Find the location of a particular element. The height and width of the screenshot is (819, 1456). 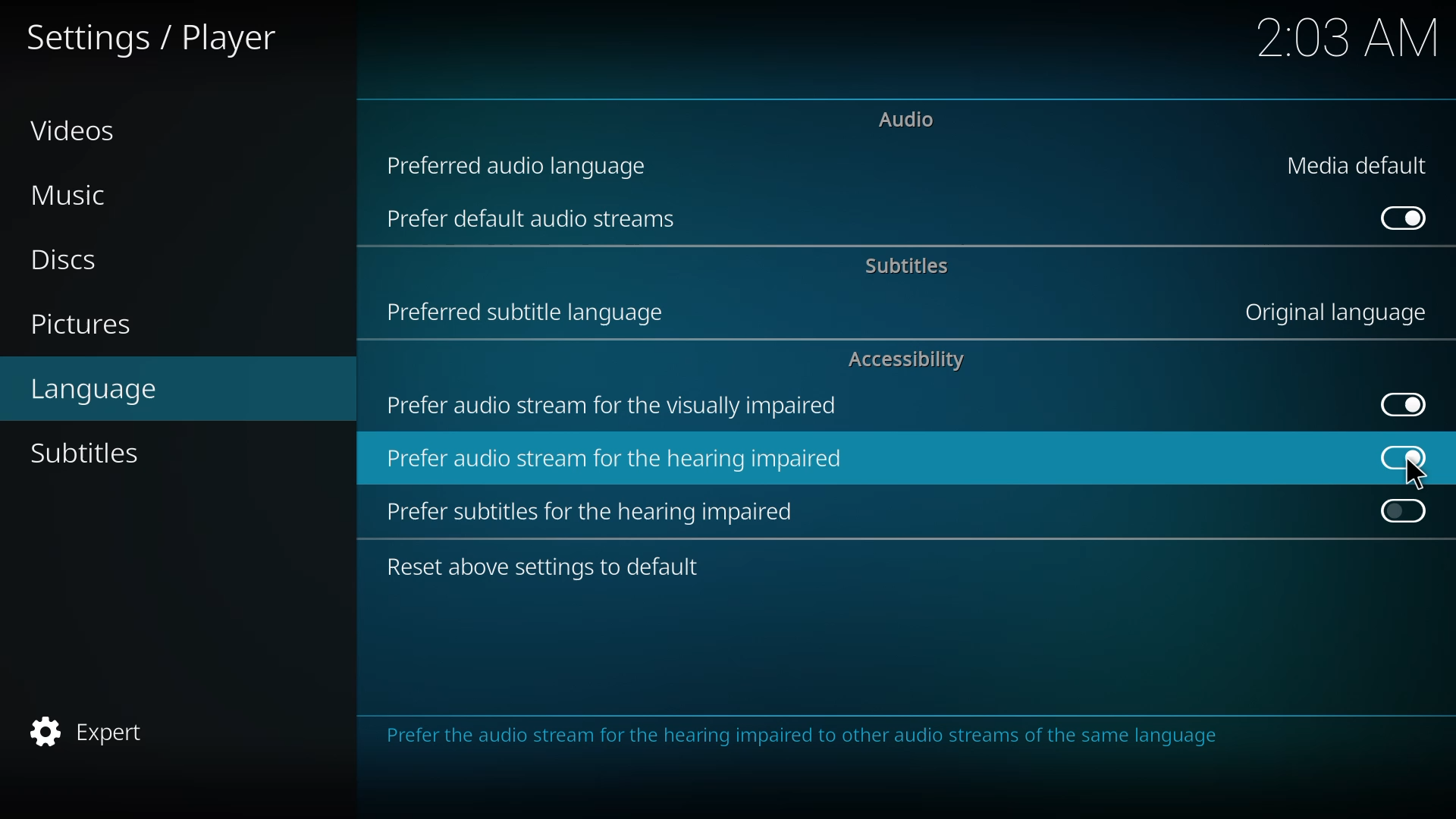

subtitles is located at coordinates (89, 452).